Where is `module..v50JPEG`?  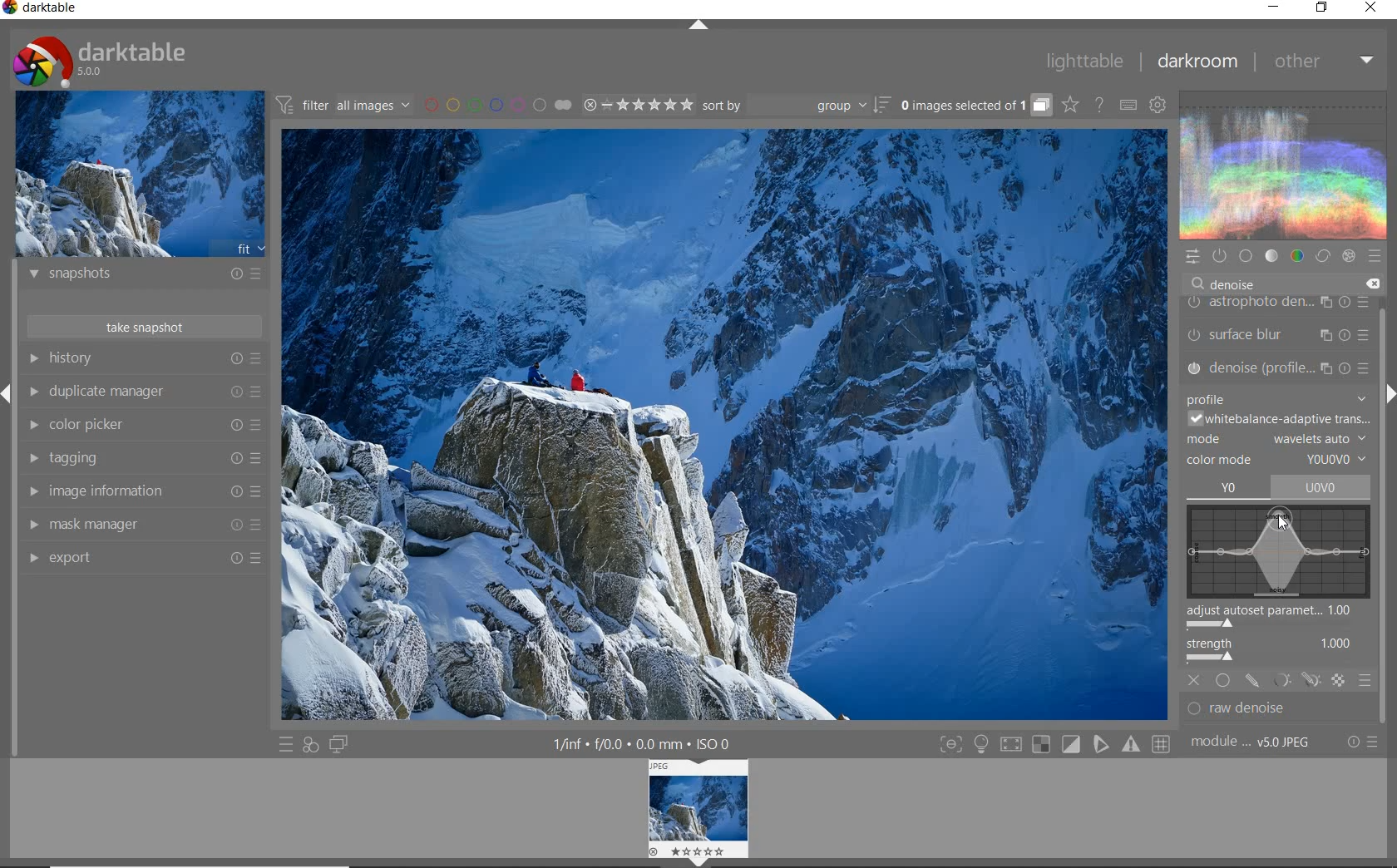
module..v50JPEG is located at coordinates (1255, 742).